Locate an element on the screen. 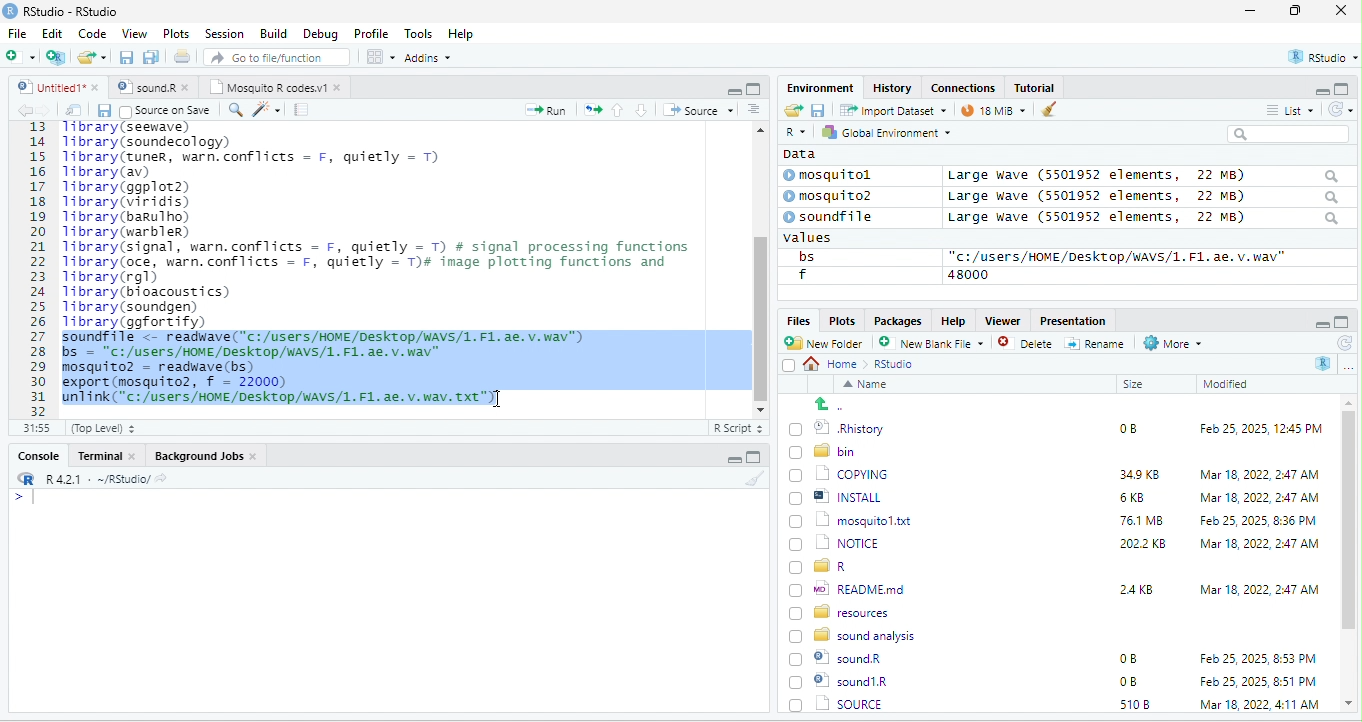 This screenshot has height=722, width=1362. ‘Mar 18, 2022, 2:47 AM is located at coordinates (1258, 544).